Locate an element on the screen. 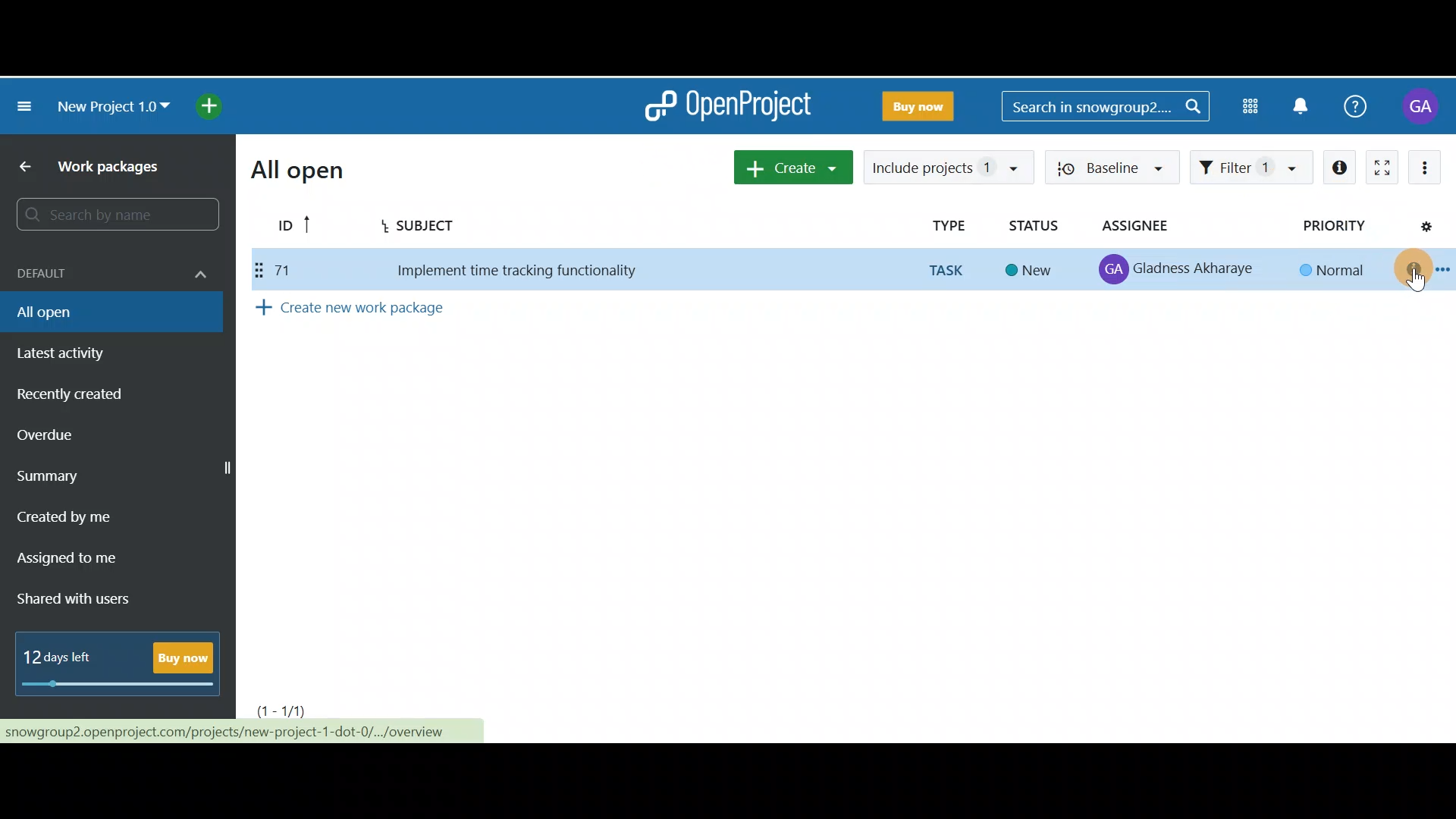 Image resolution: width=1456 pixels, height=819 pixels. Notification centre is located at coordinates (1310, 105).